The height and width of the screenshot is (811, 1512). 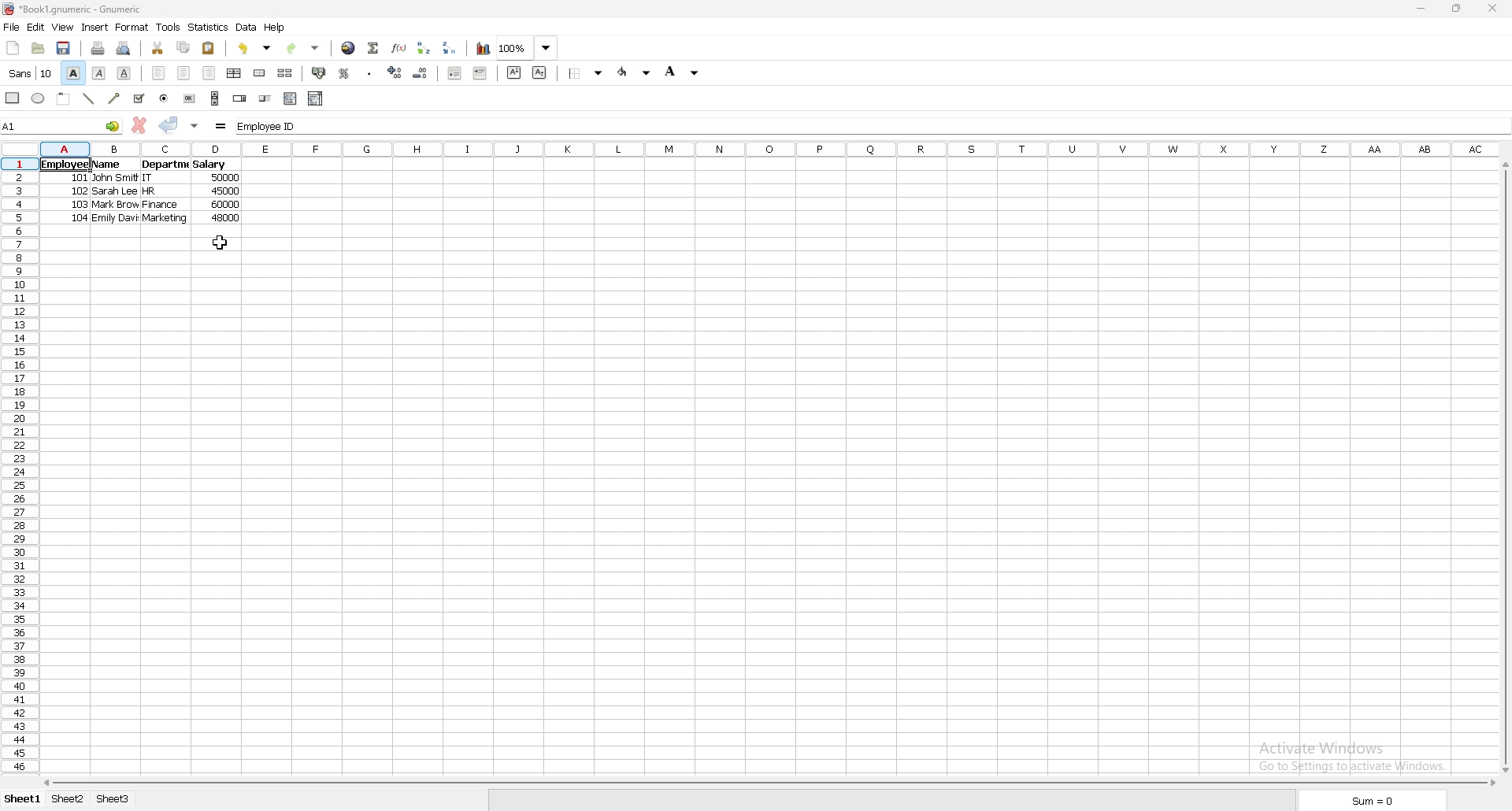 I want to click on merge, so click(x=261, y=73).